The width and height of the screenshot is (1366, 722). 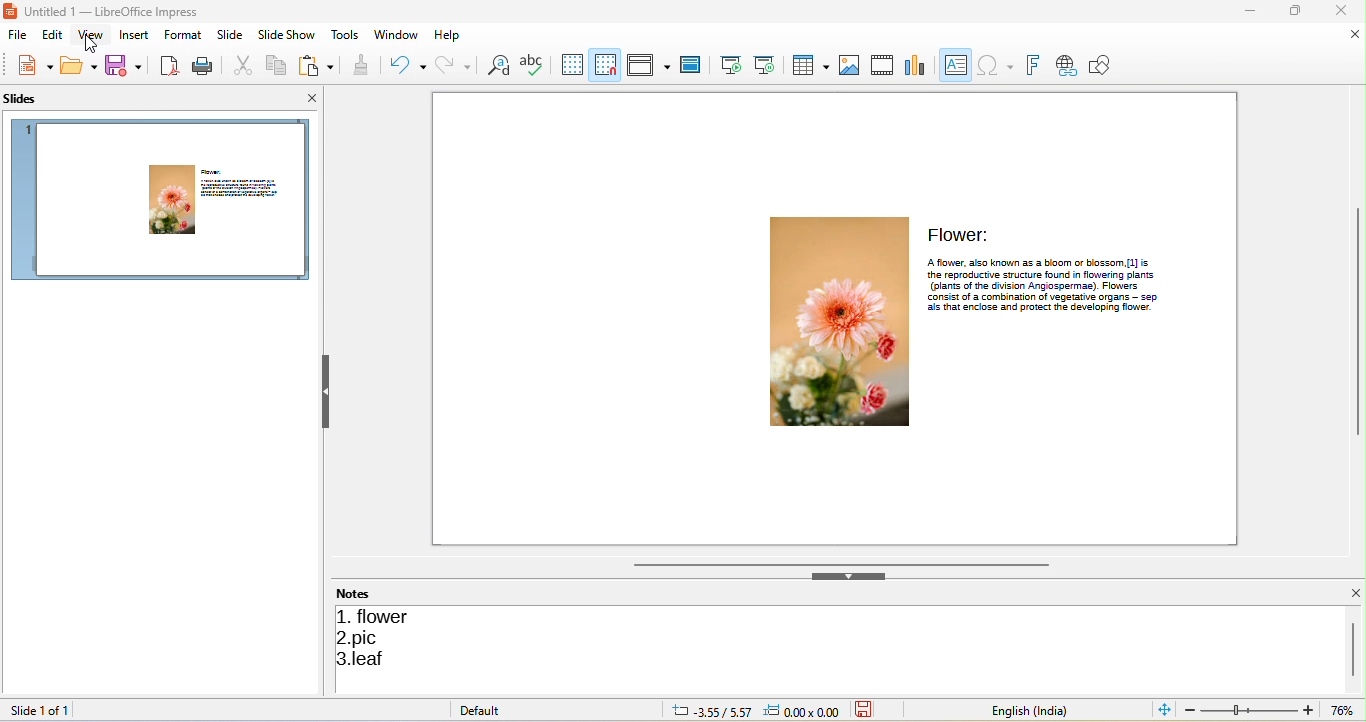 What do you see at coordinates (692, 65) in the screenshot?
I see `master slide` at bounding box center [692, 65].